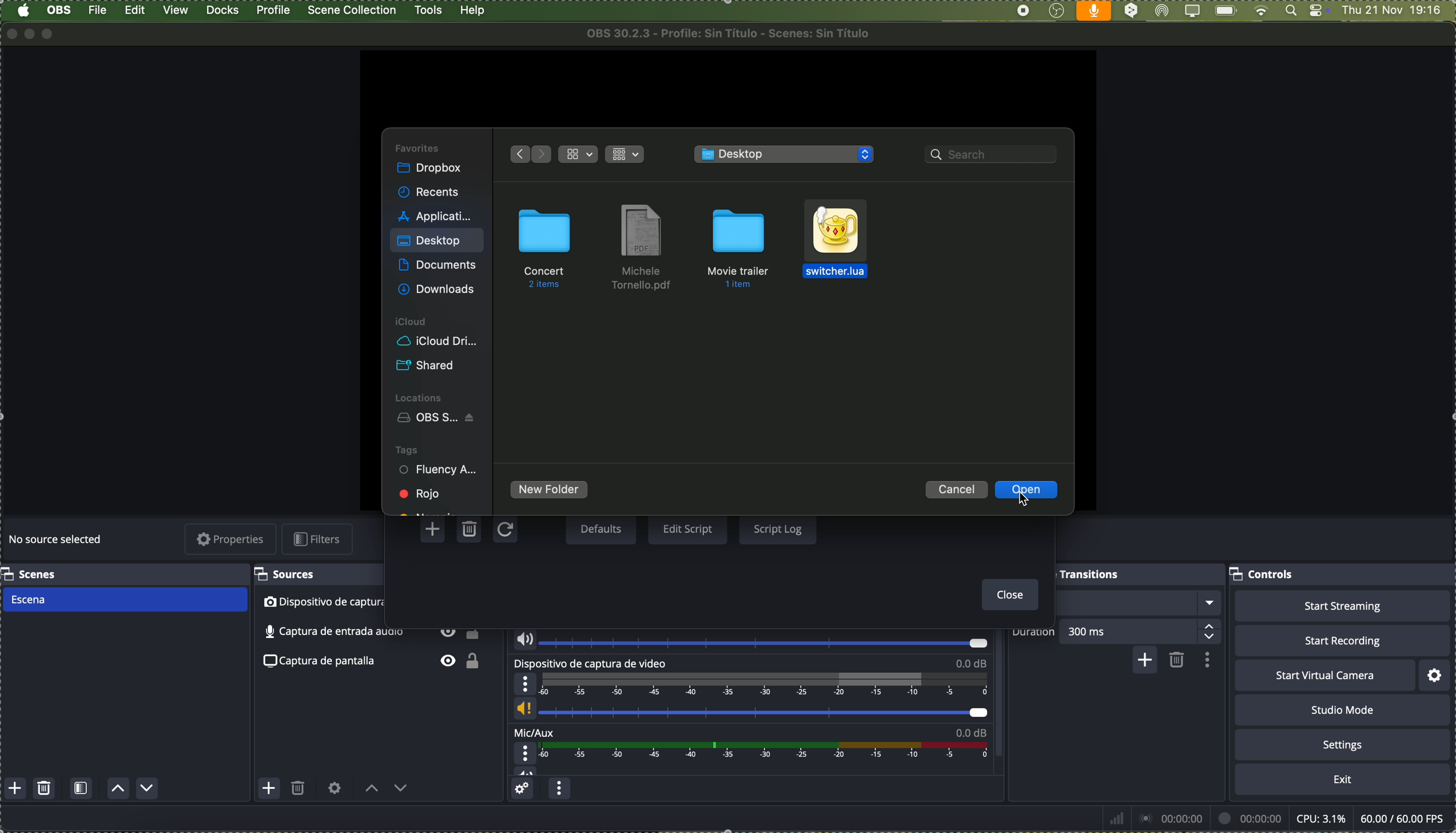 Image resolution: width=1456 pixels, height=833 pixels. I want to click on navigate arrows, so click(528, 153).